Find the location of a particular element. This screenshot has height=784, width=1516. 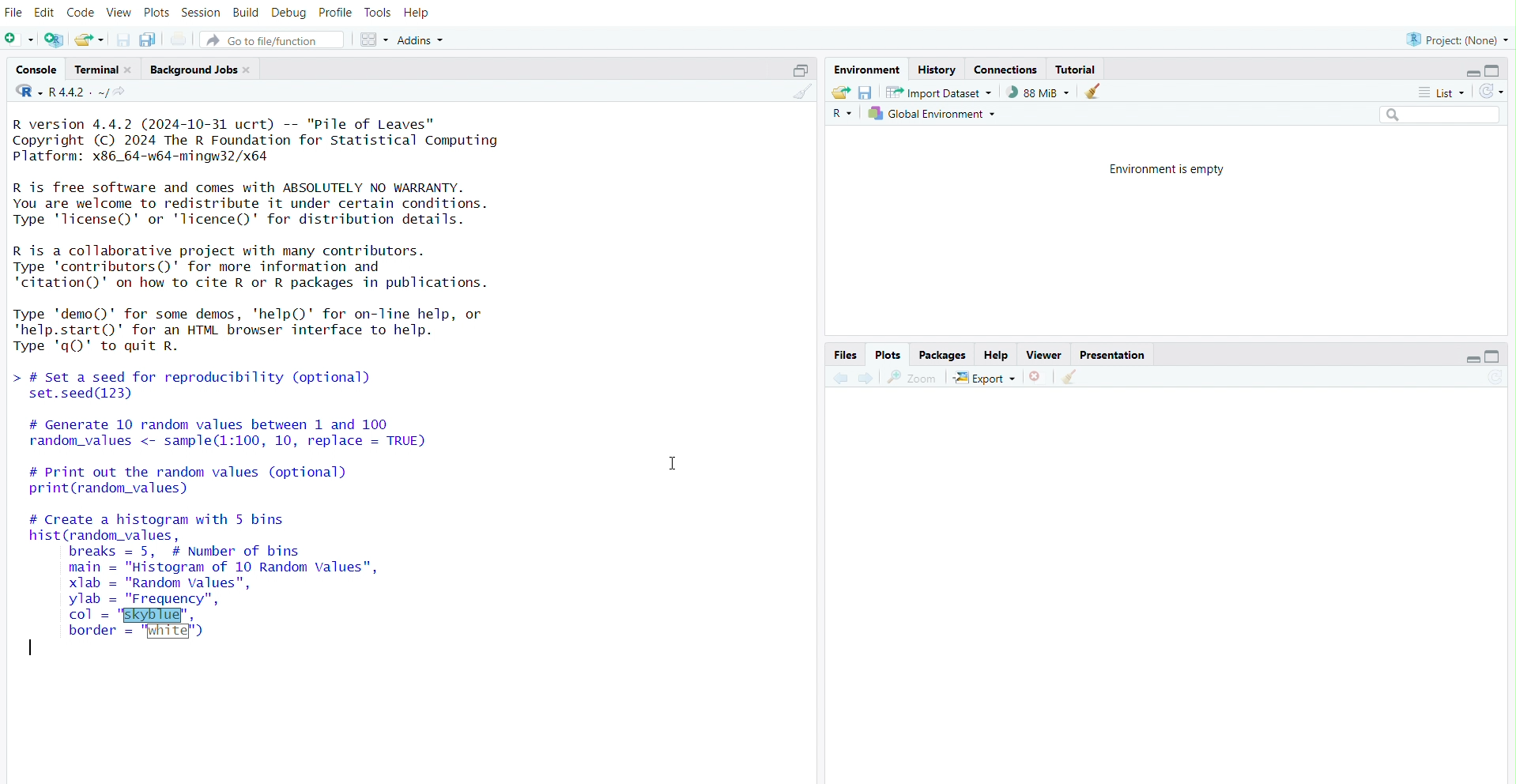

workspace panes is located at coordinates (375, 37).